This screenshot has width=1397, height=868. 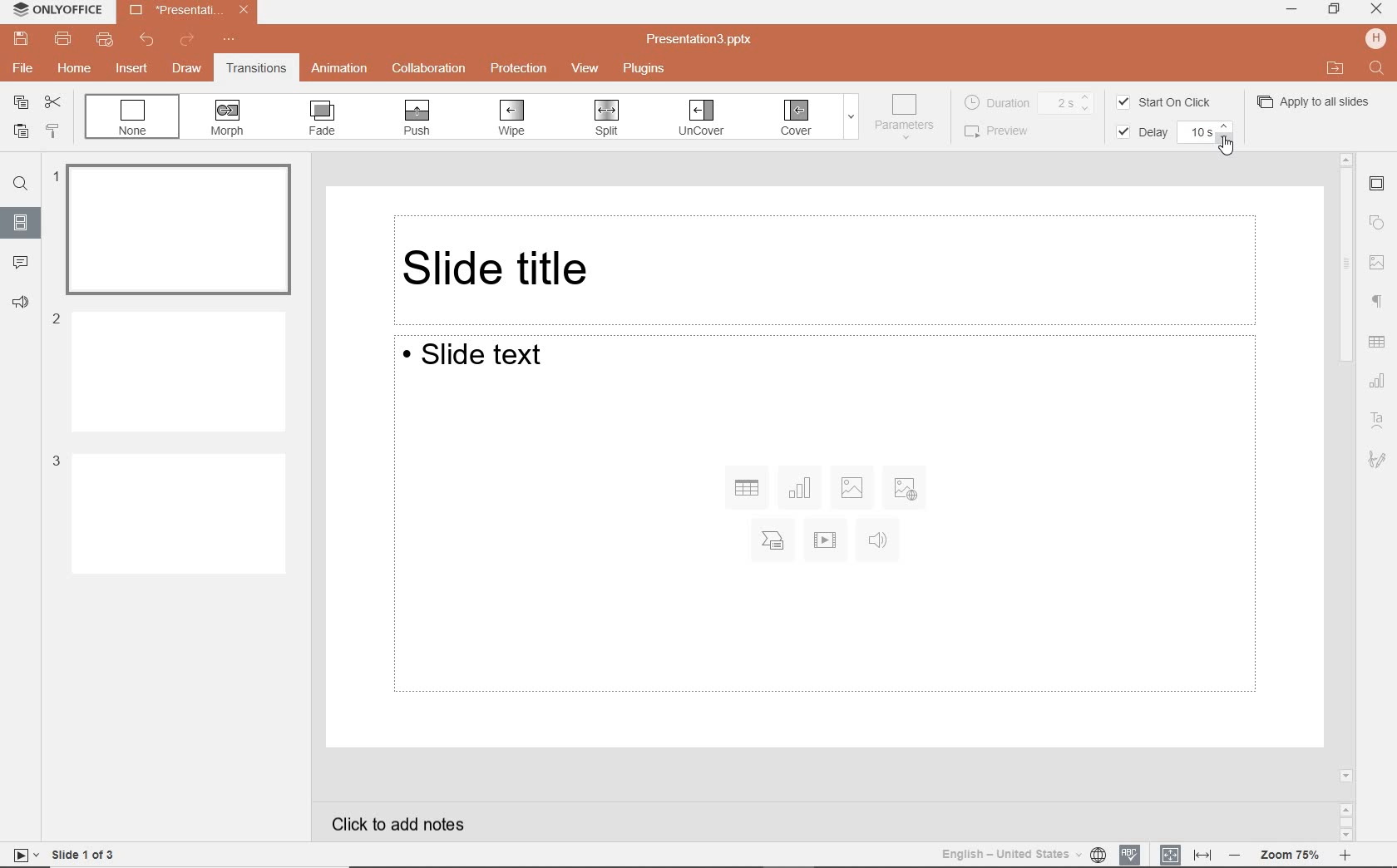 What do you see at coordinates (340, 68) in the screenshot?
I see `animation` at bounding box center [340, 68].